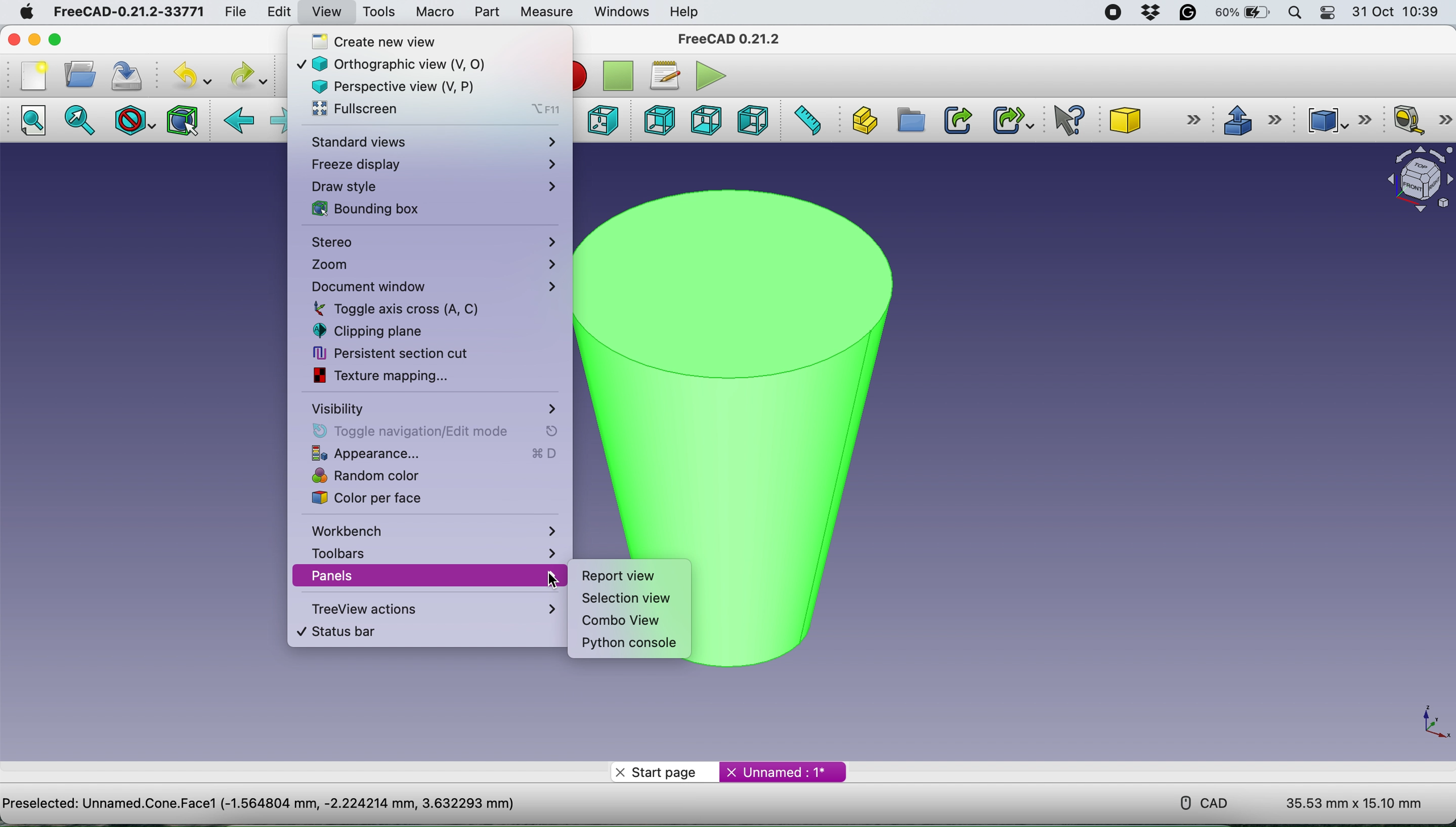 This screenshot has width=1456, height=827. I want to click on start page, so click(664, 771).